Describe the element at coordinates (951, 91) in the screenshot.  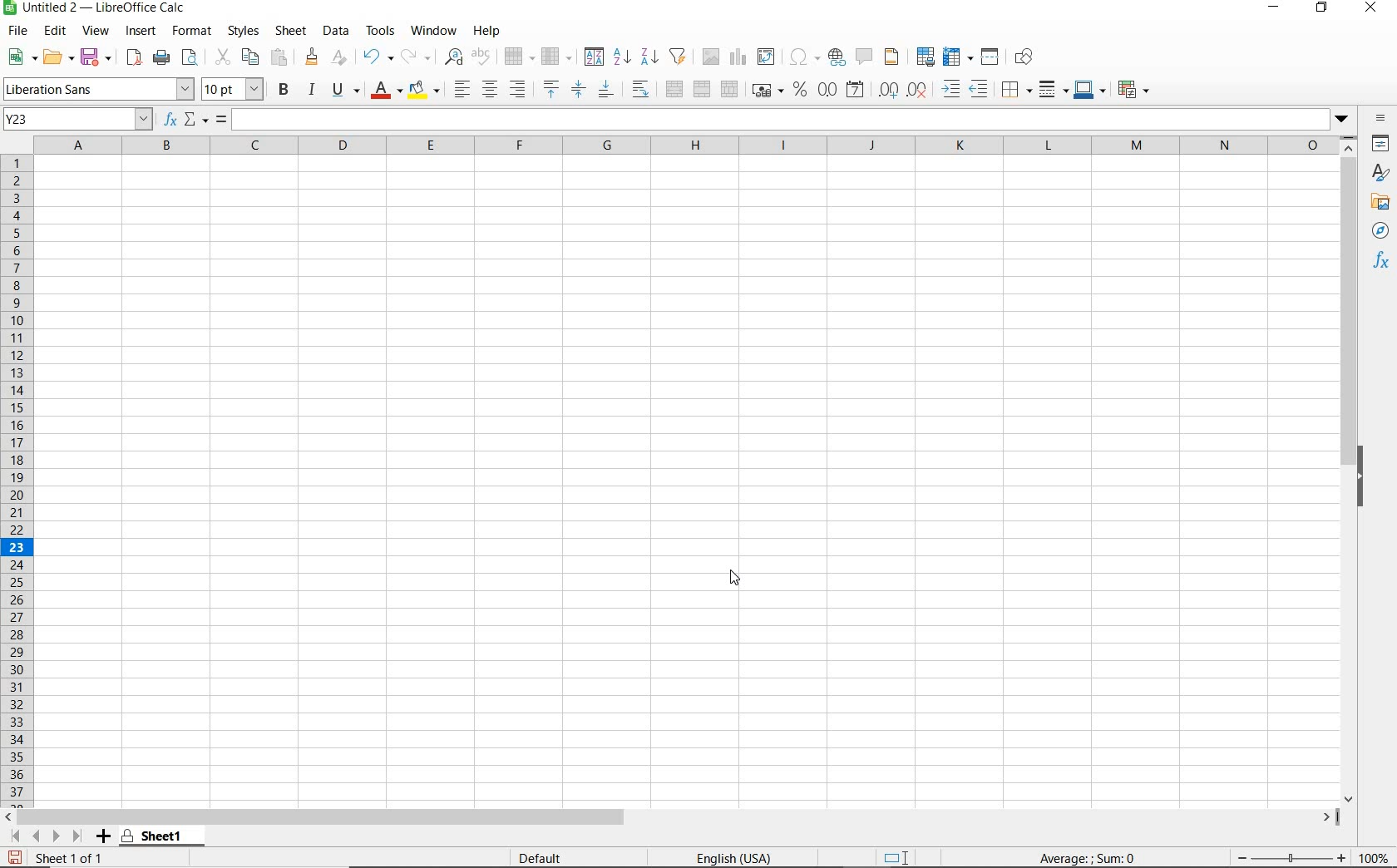
I see `INCREASE INDENT` at that location.